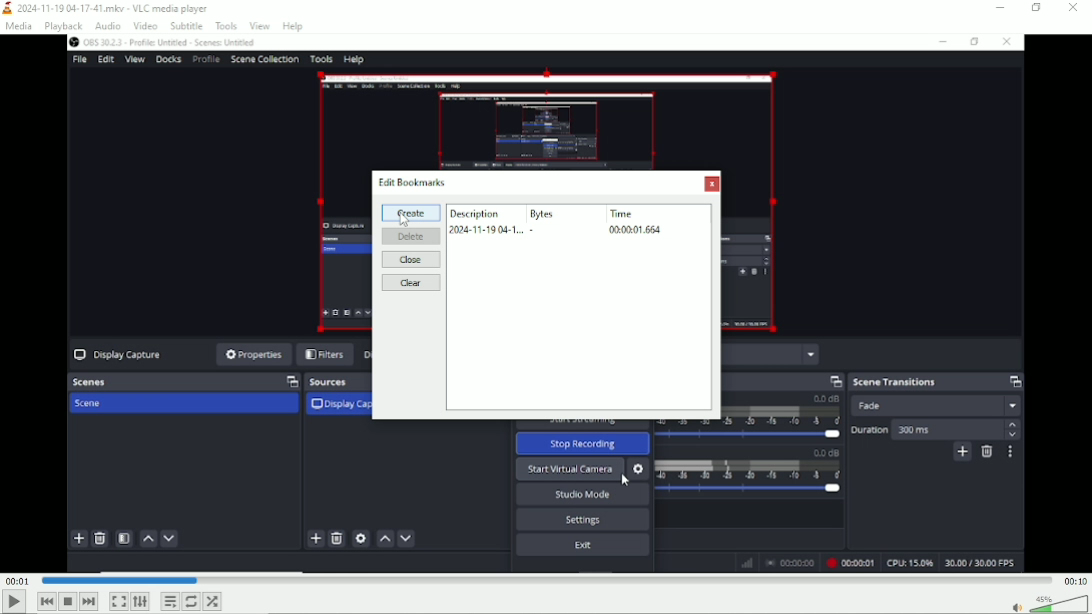  What do you see at coordinates (546, 580) in the screenshot?
I see `Play duration` at bounding box center [546, 580].